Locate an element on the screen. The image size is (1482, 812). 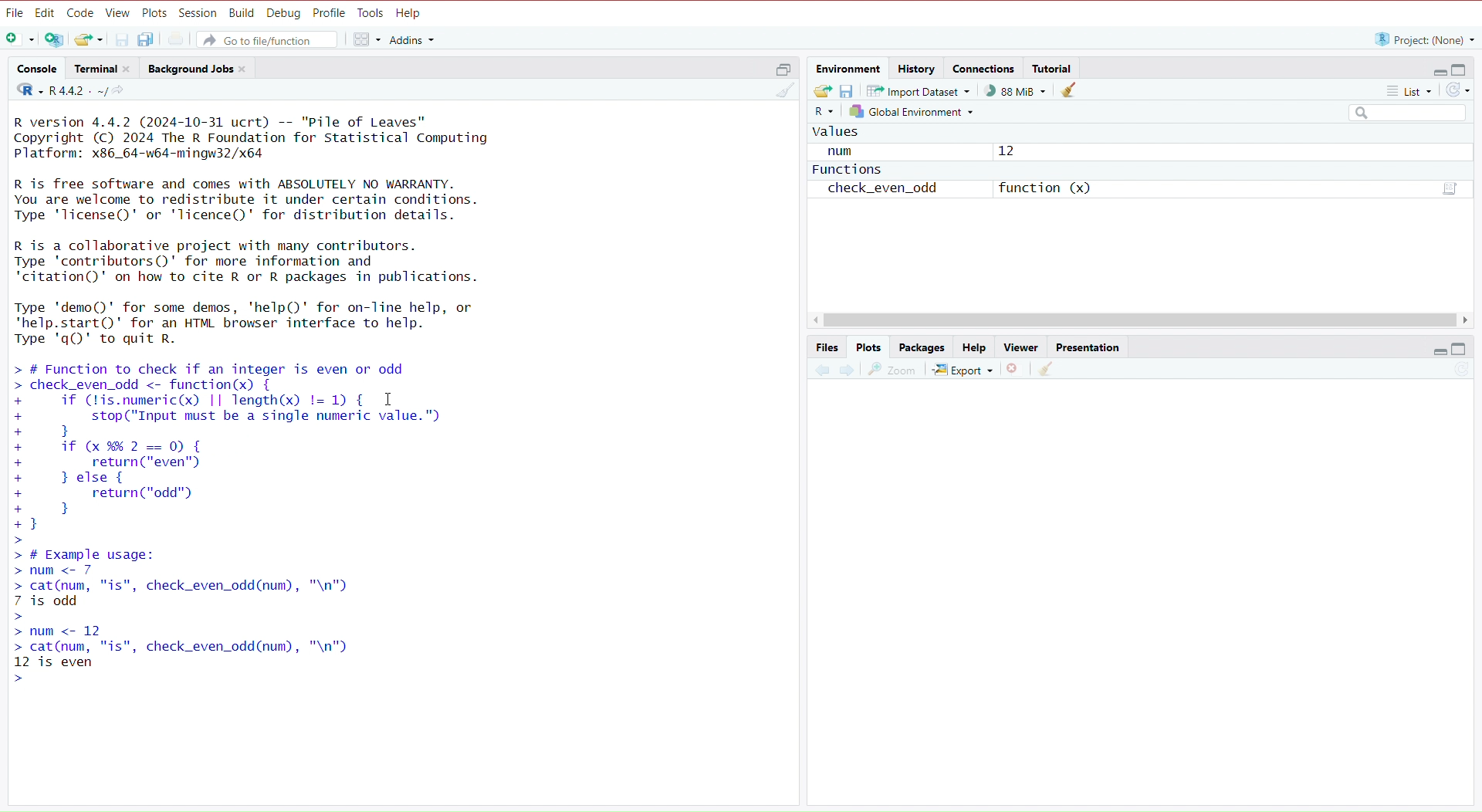
clear console is located at coordinates (779, 92).